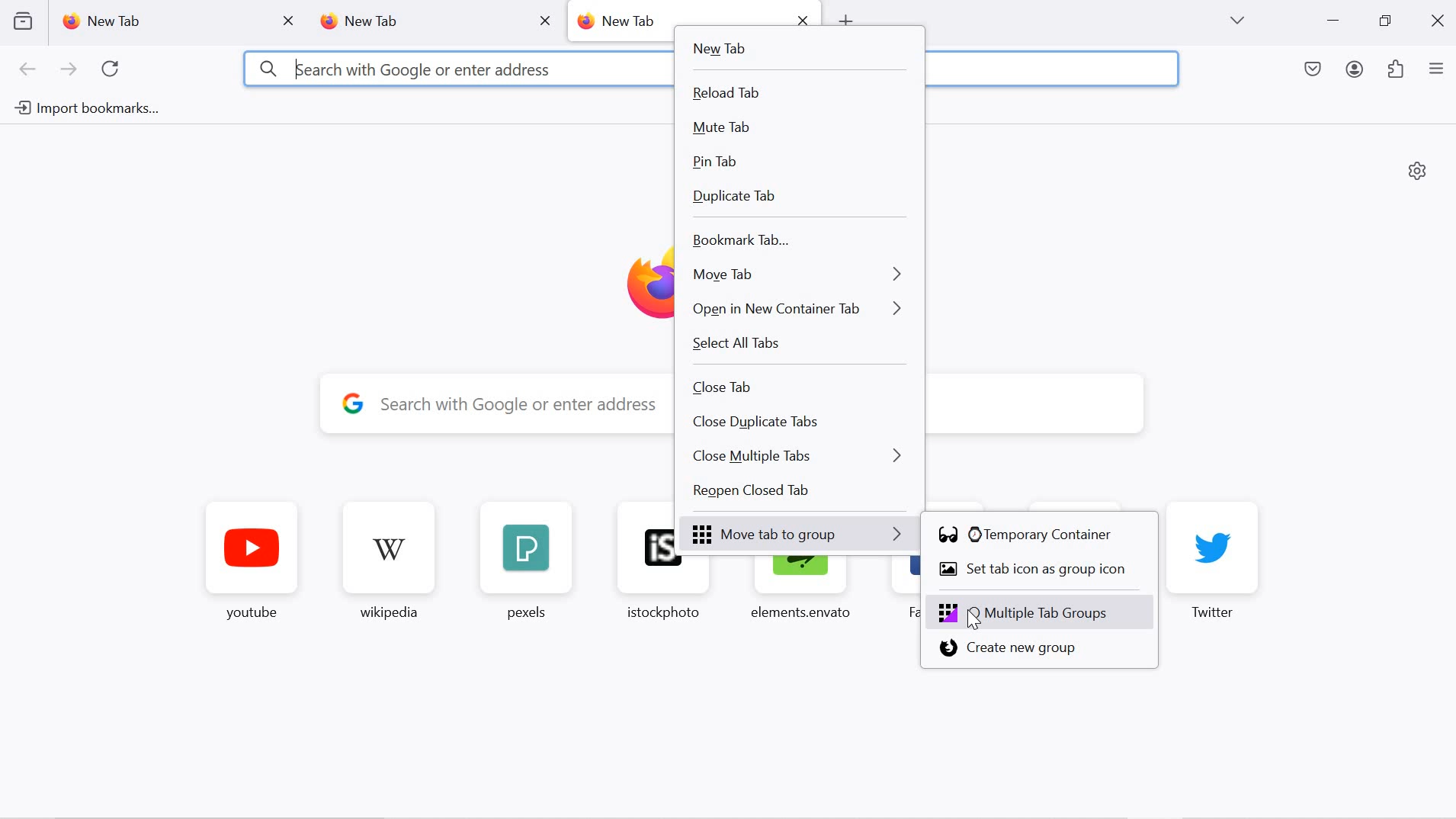 The height and width of the screenshot is (819, 1456). Describe the element at coordinates (1440, 19) in the screenshot. I see `close` at that location.